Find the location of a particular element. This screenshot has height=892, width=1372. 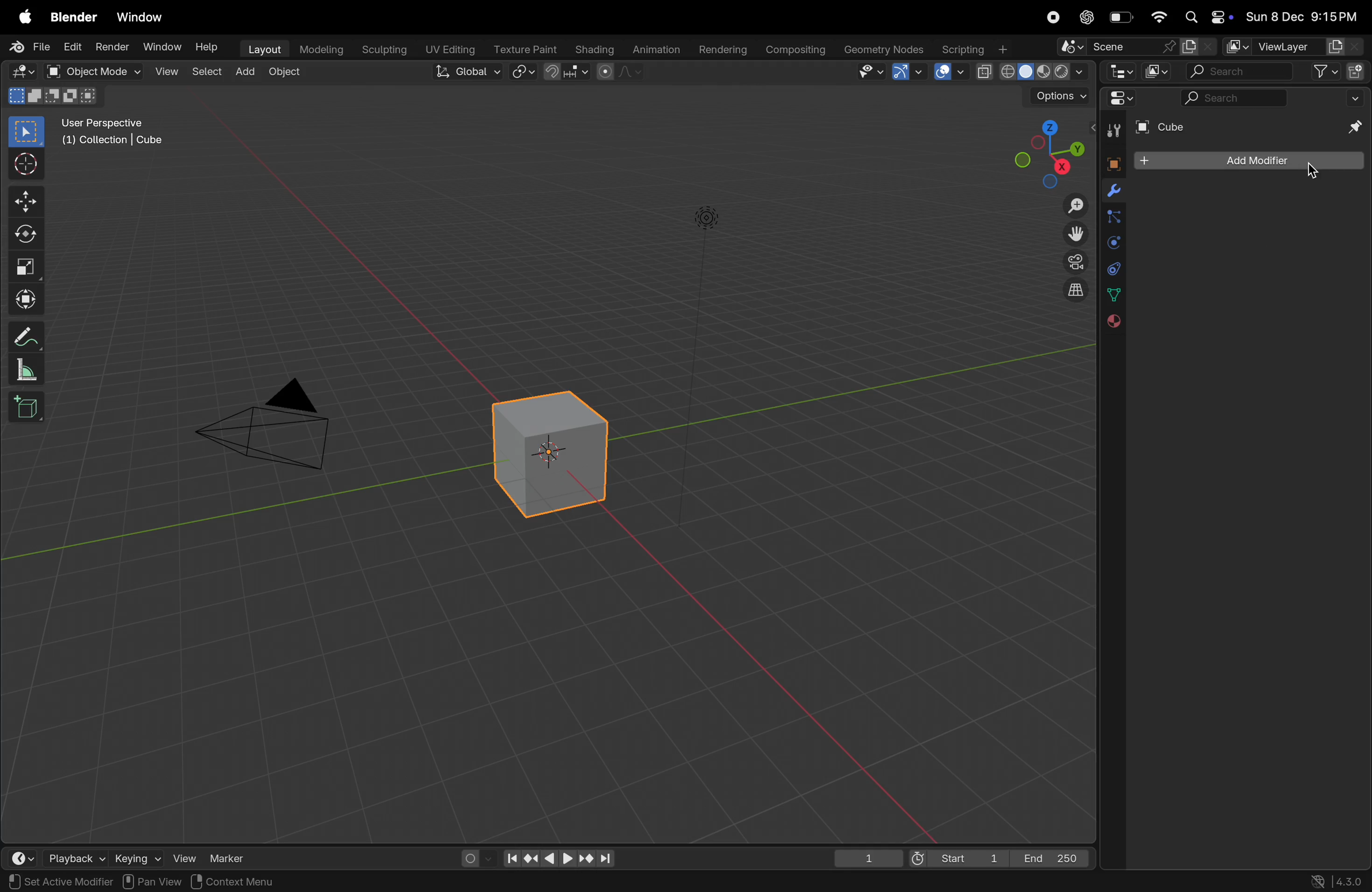

material is located at coordinates (1111, 322).